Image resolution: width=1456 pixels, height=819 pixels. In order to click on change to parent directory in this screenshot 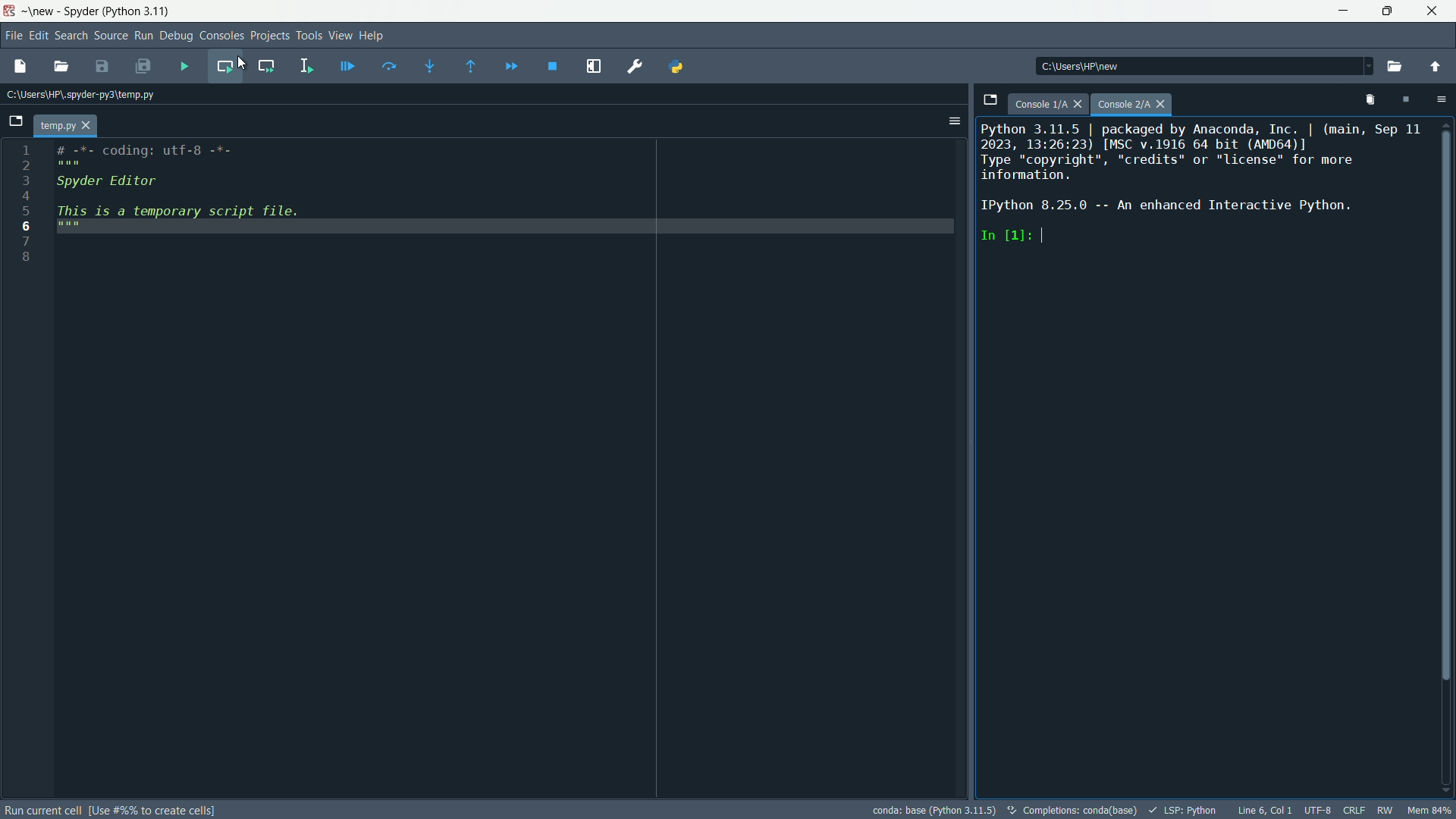, I will do `click(1437, 69)`.